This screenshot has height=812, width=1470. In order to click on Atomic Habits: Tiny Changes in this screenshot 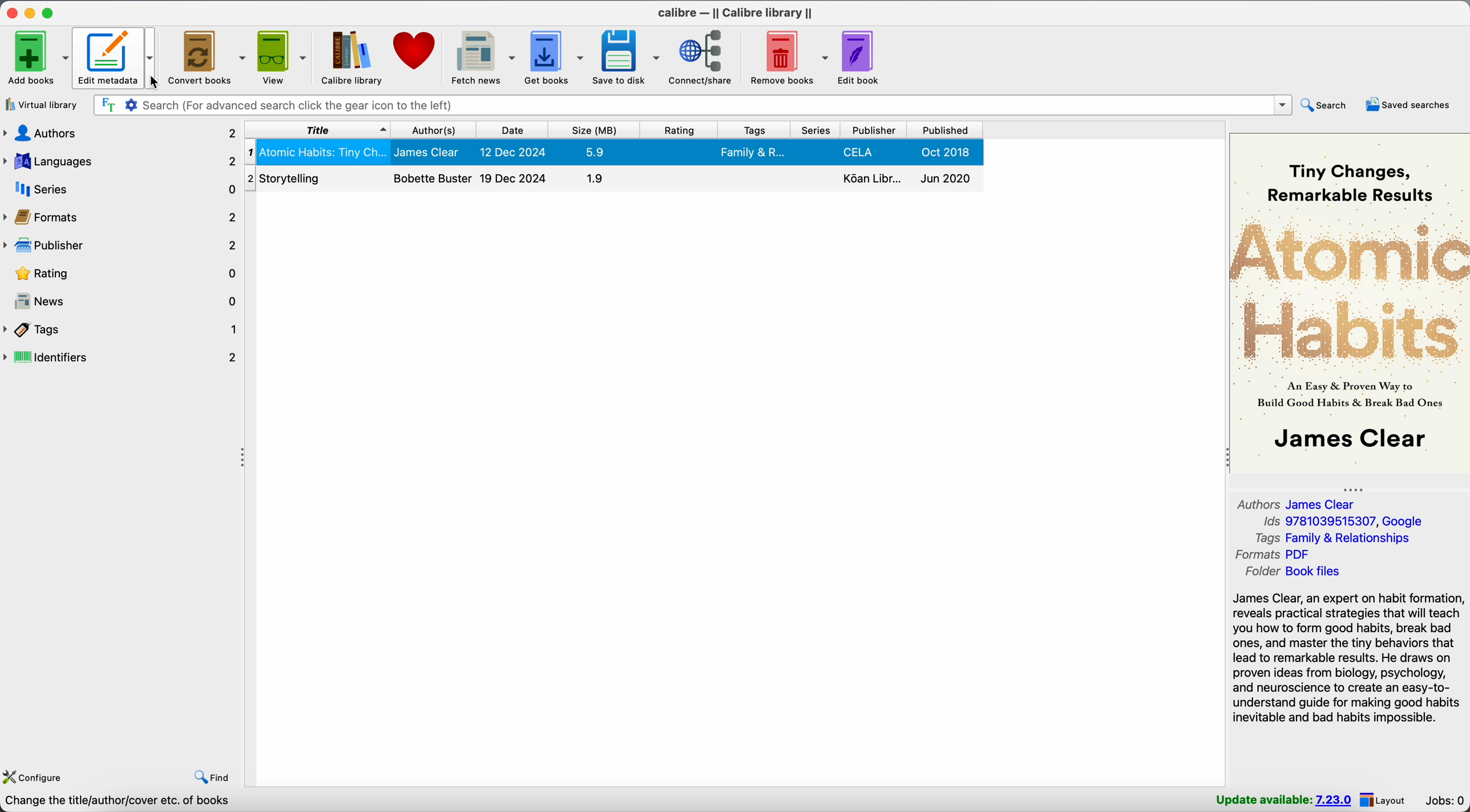, I will do `click(616, 152)`.